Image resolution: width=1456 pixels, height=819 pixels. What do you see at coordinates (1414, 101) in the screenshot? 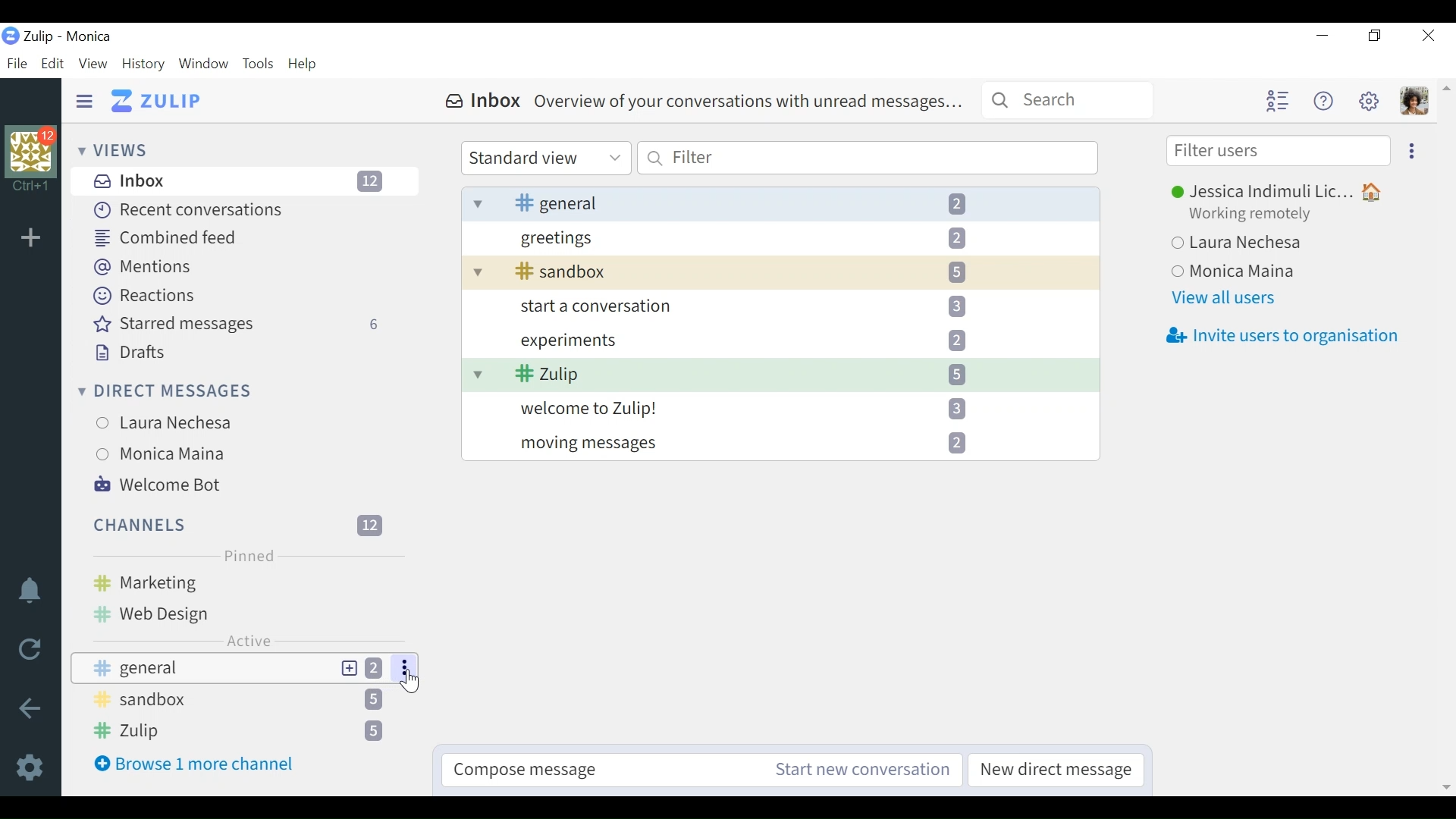
I see `Profile` at bounding box center [1414, 101].